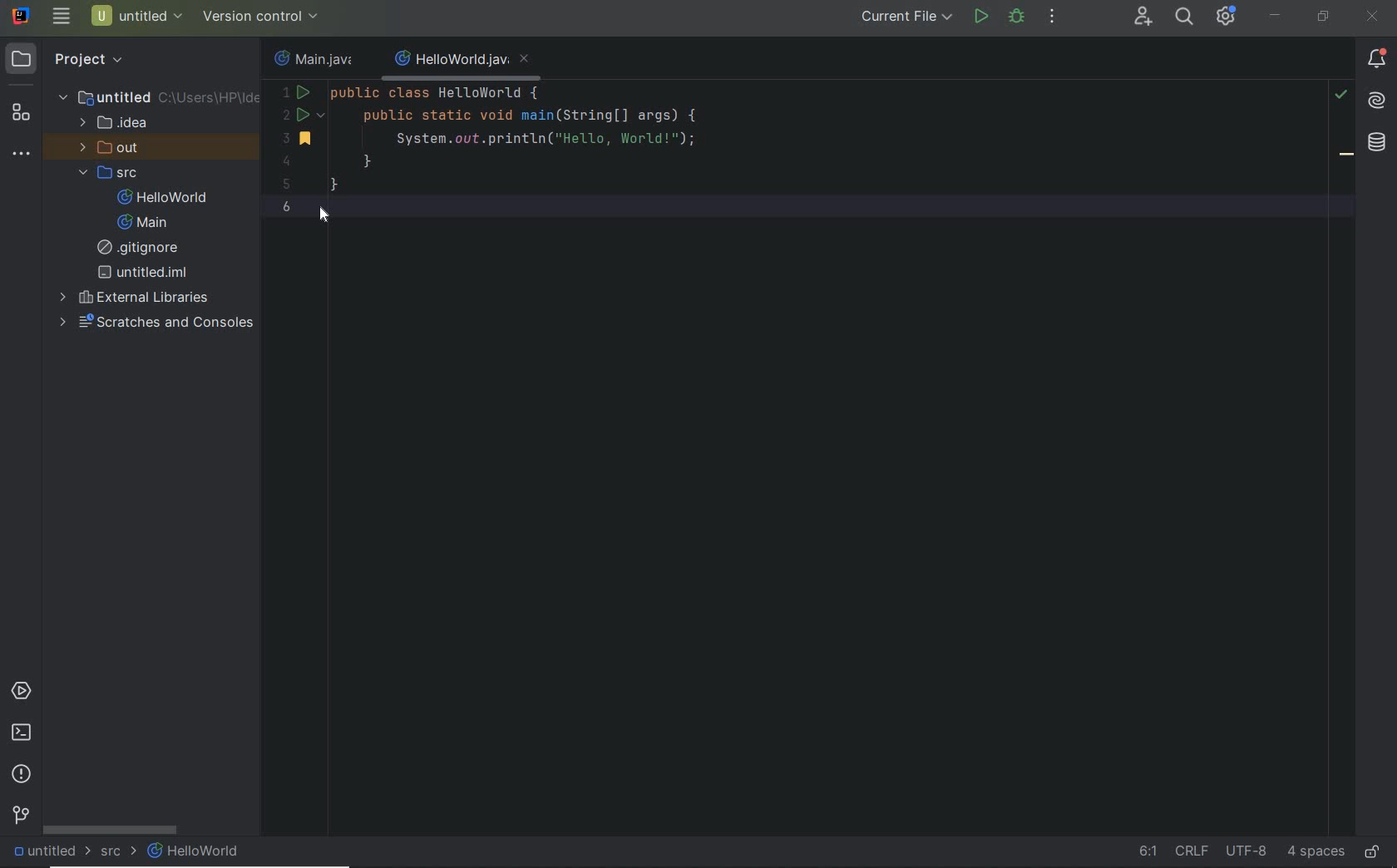 Image resolution: width=1397 pixels, height=868 pixels. Describe the element at coordinates (1375, 853) in the screenshot. I see `make file ready only` at that location.